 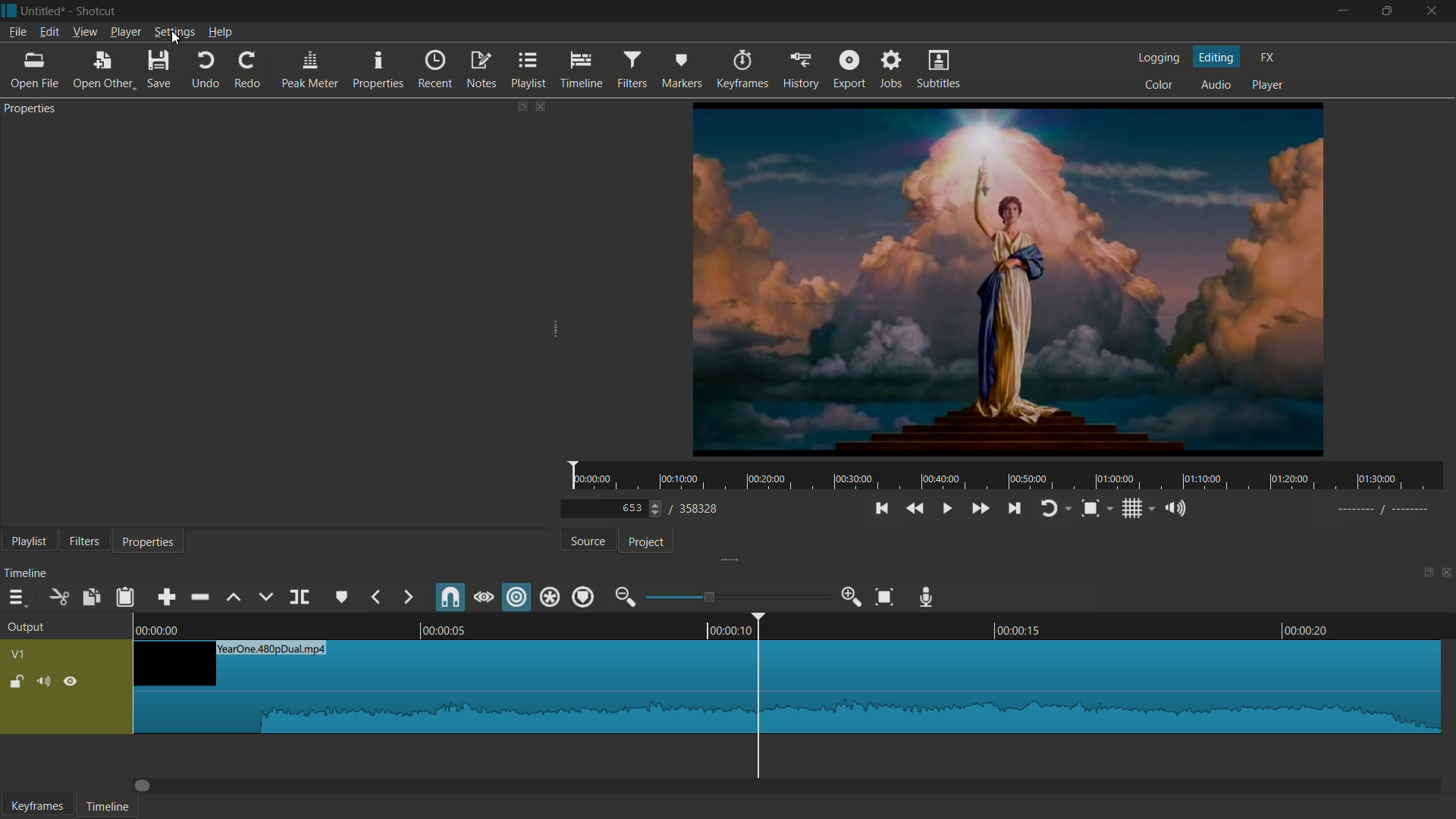 What do you see at coordinates (1158, 58) in the screenshot?
I see `logging` at bounding box center [1158, 58].